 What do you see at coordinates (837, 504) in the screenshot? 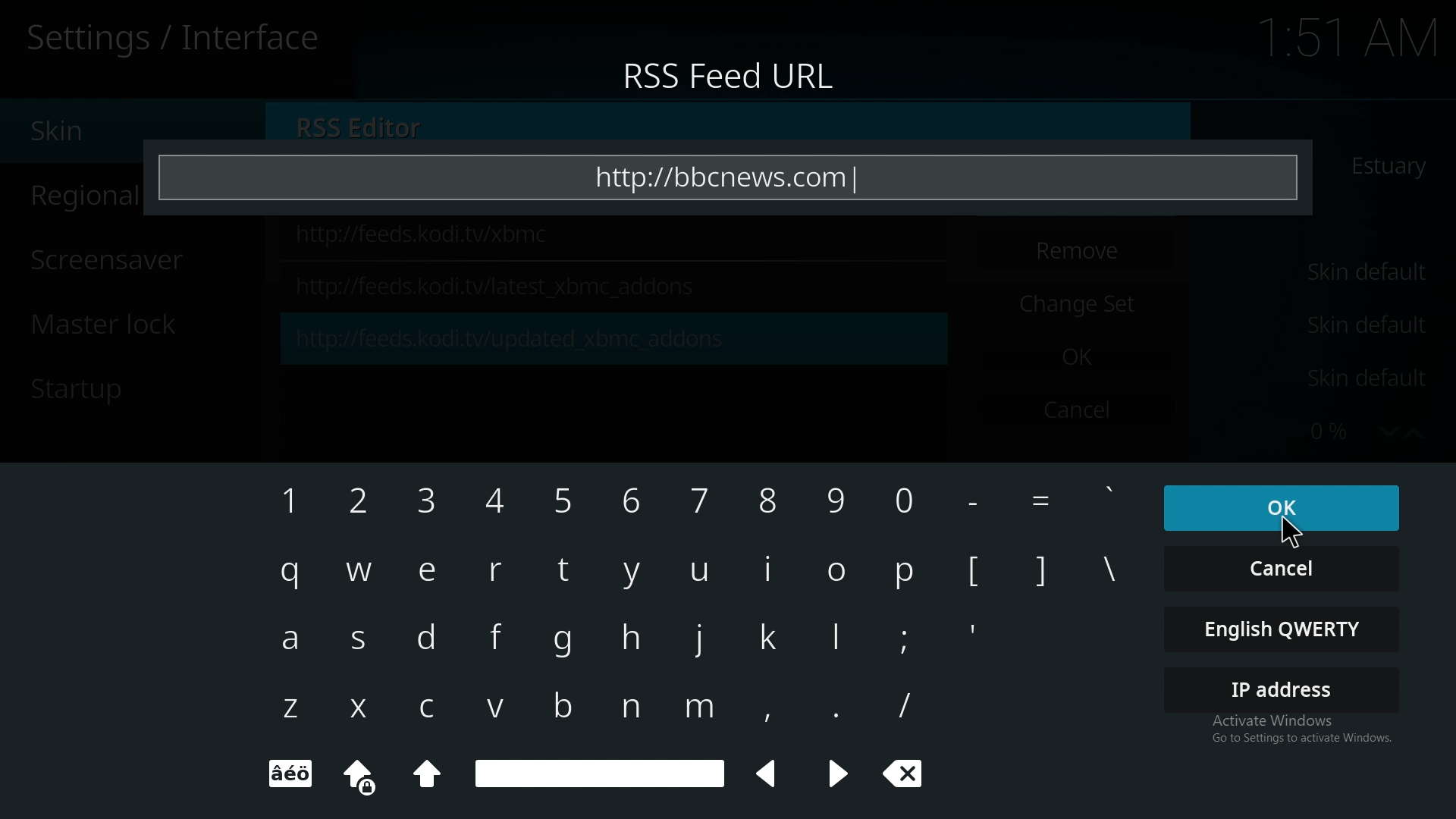
I see `keyboard Input` at bounding box center [837, 504].